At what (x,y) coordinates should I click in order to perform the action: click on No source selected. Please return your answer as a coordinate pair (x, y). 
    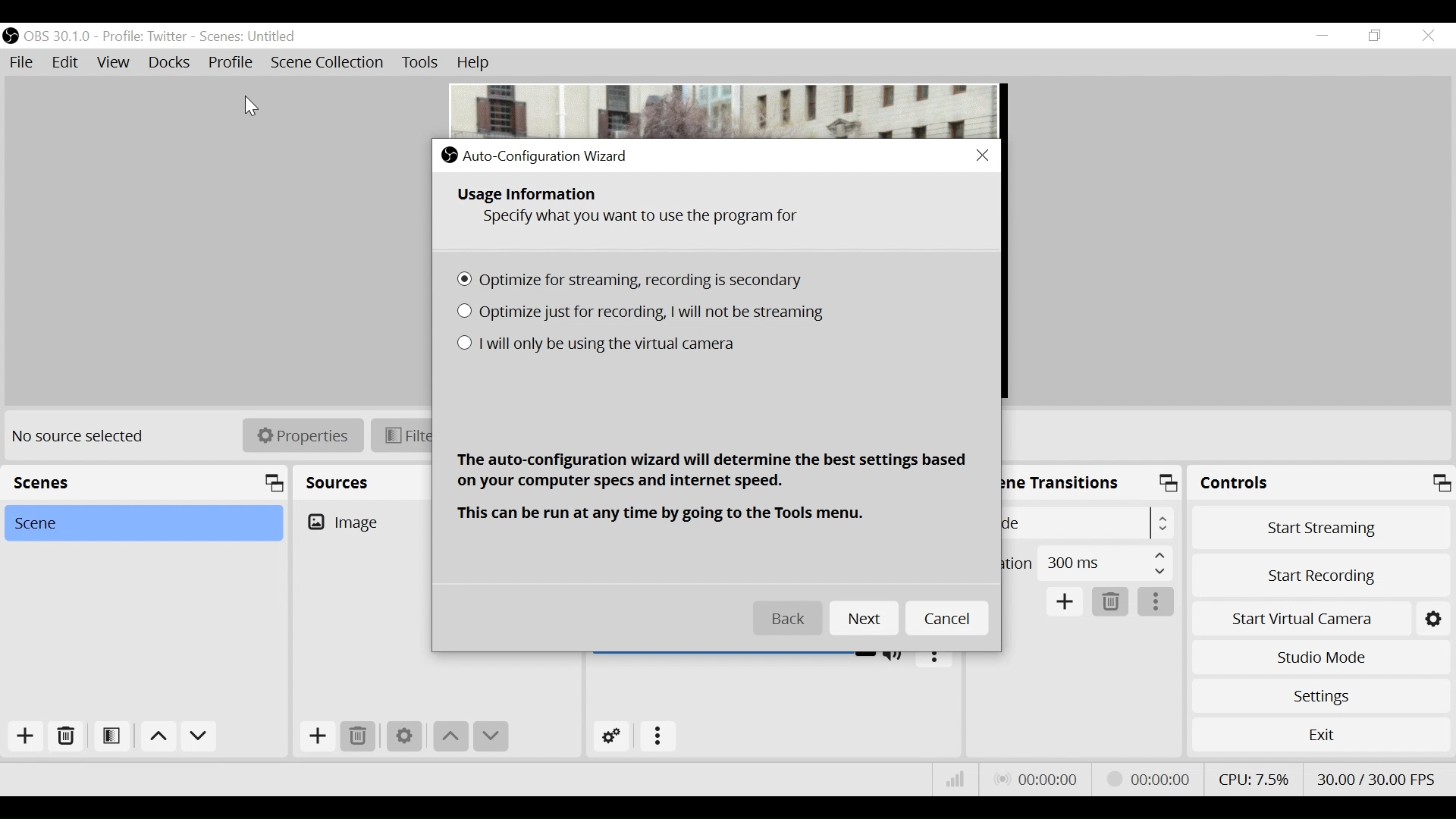
    Looking at the image, I should click on (83, 437).